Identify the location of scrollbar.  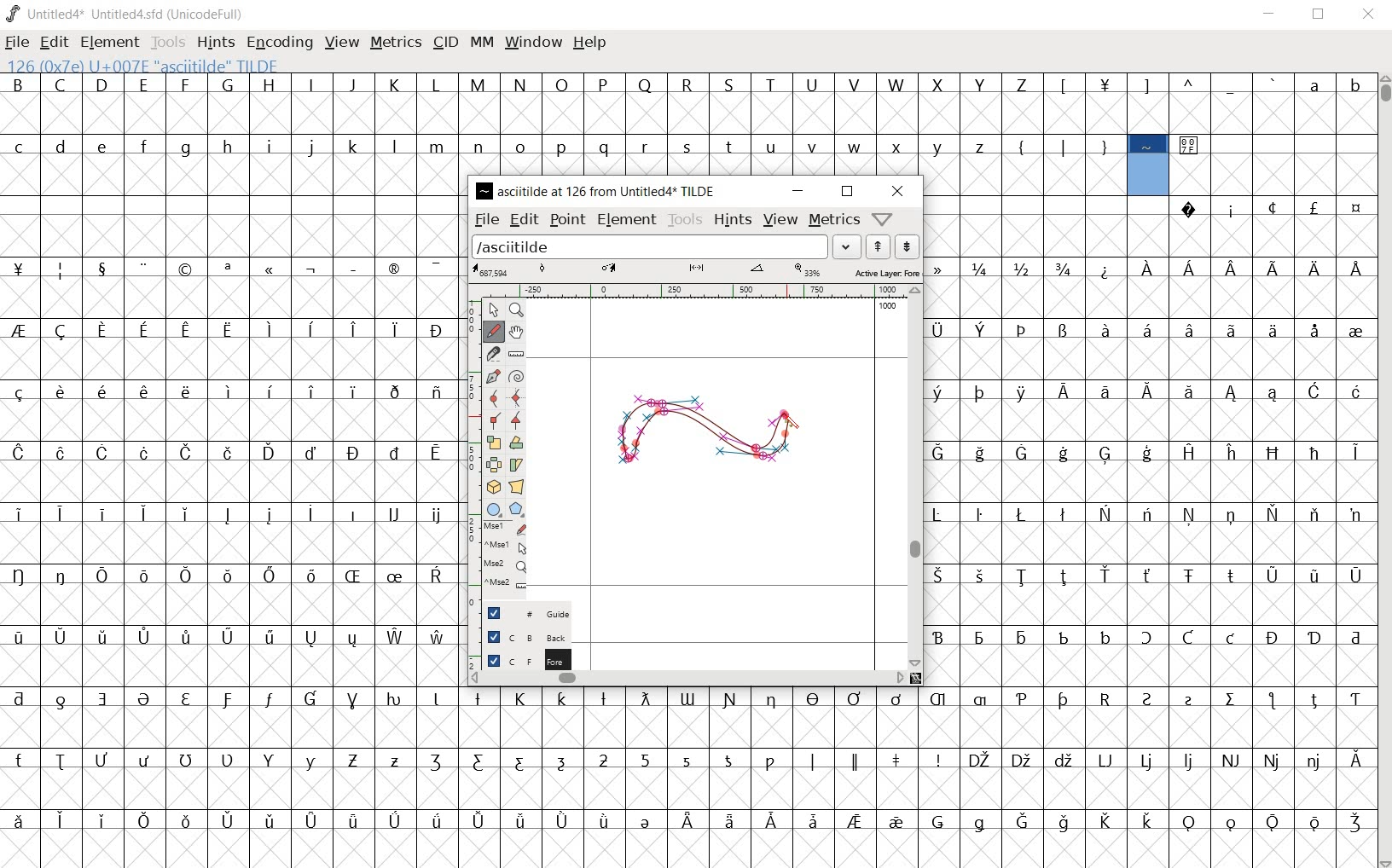
(688, 678).